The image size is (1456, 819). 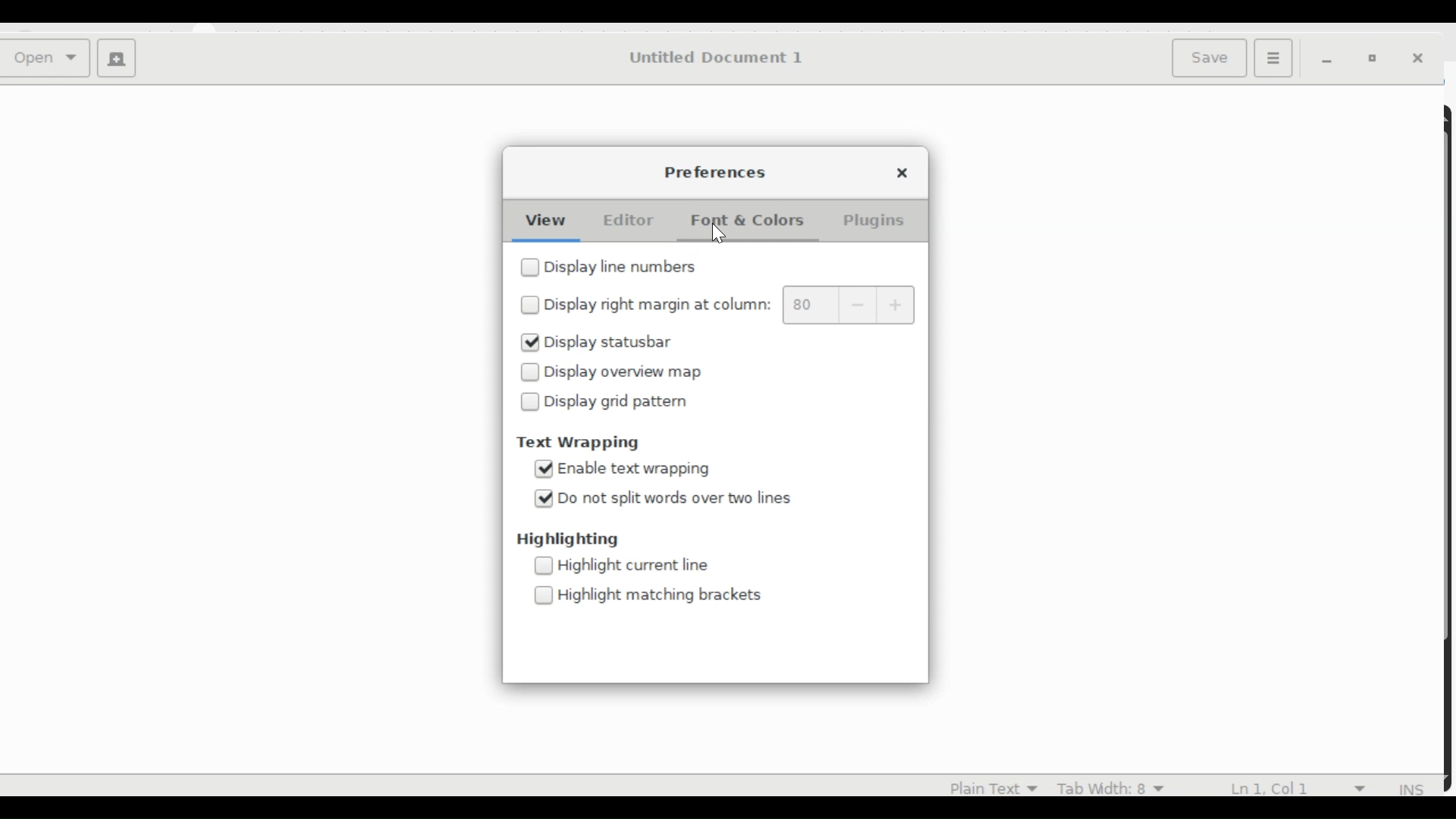 What do you see at coordinates (530, 342) in the screenshot?
I see `checked checkbox` at bounding box center [530, 342].